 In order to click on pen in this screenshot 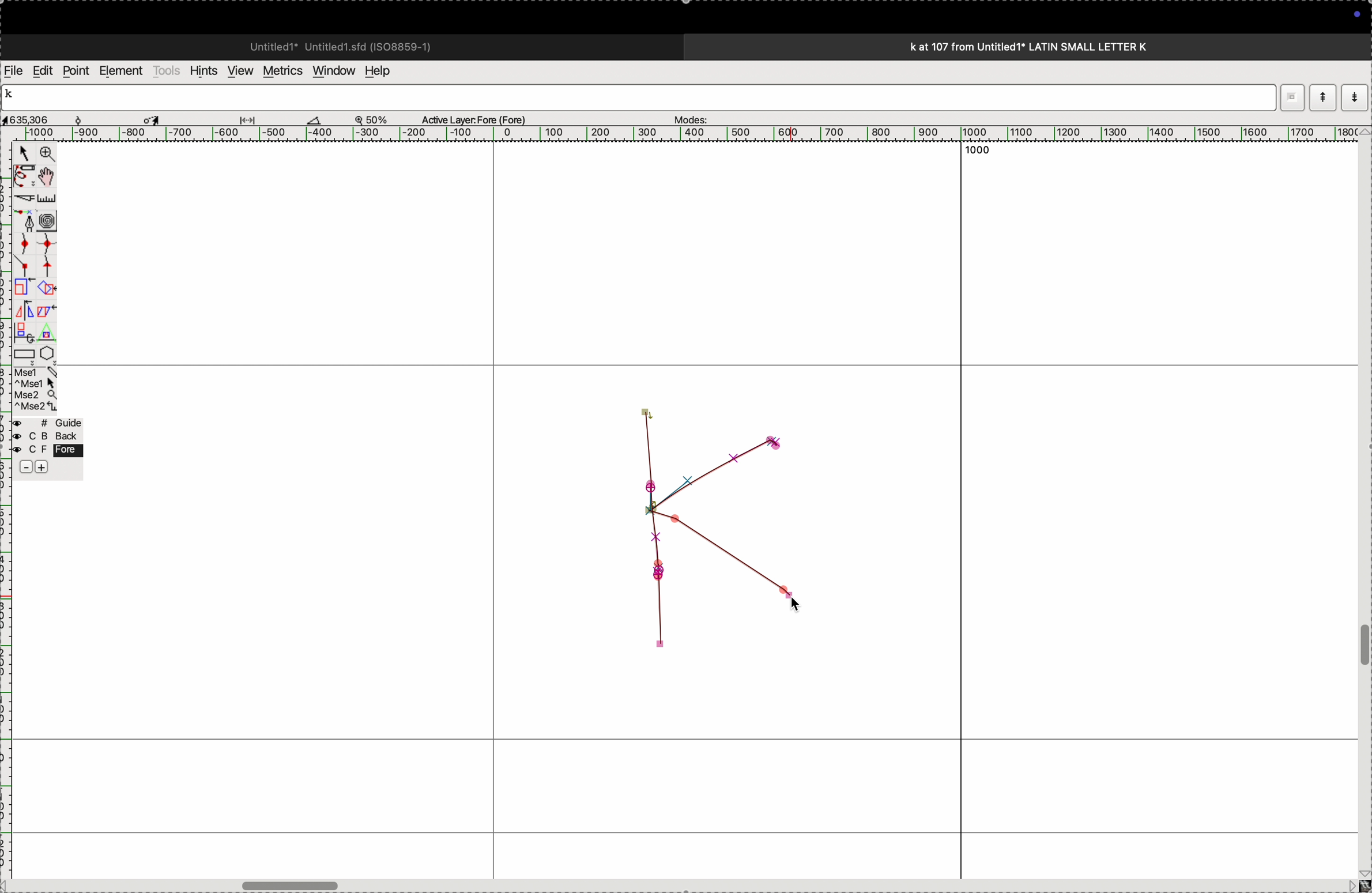, I will do `click(24, 176)`.